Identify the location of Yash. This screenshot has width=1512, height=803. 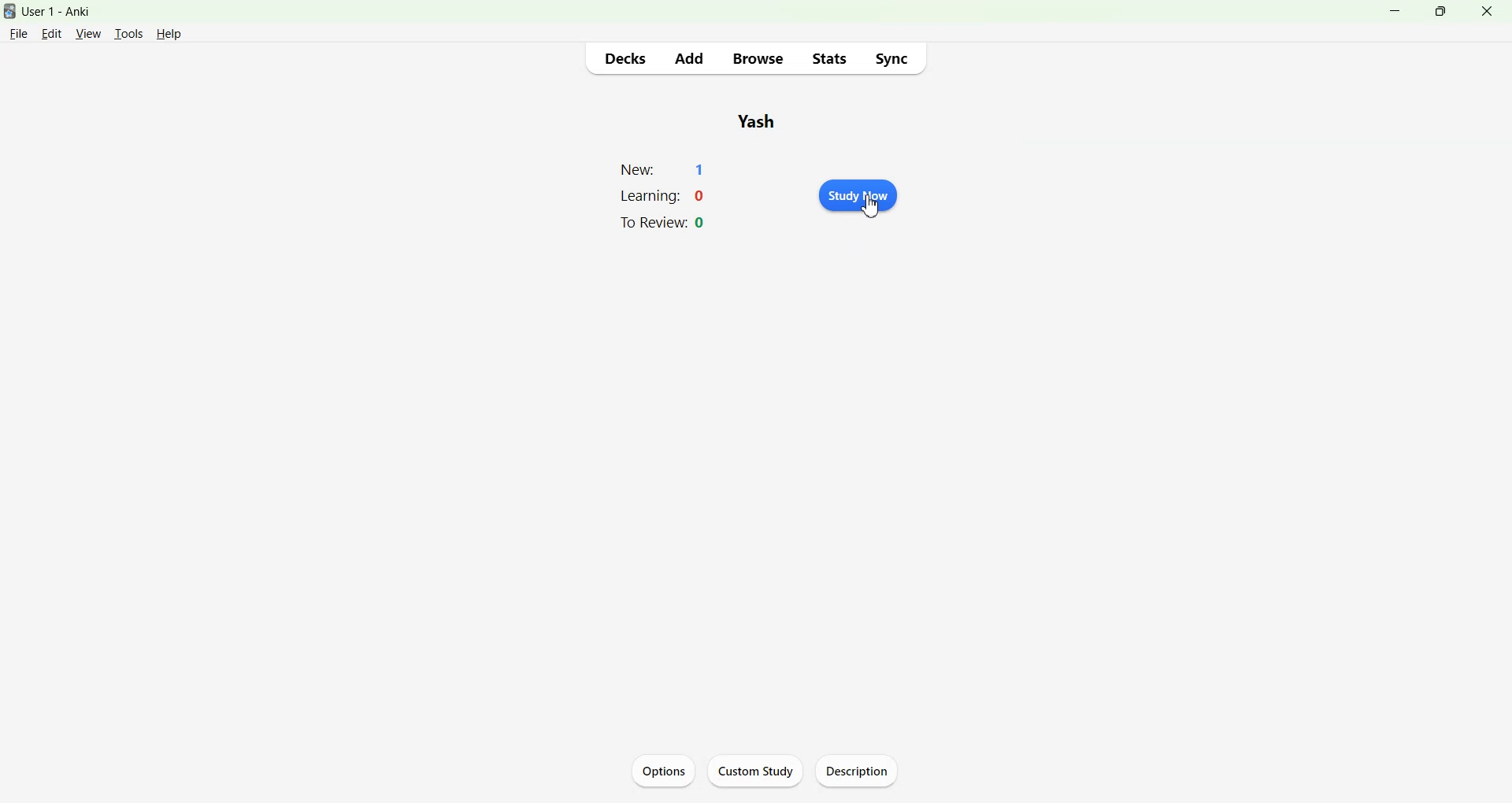
(759, 121).